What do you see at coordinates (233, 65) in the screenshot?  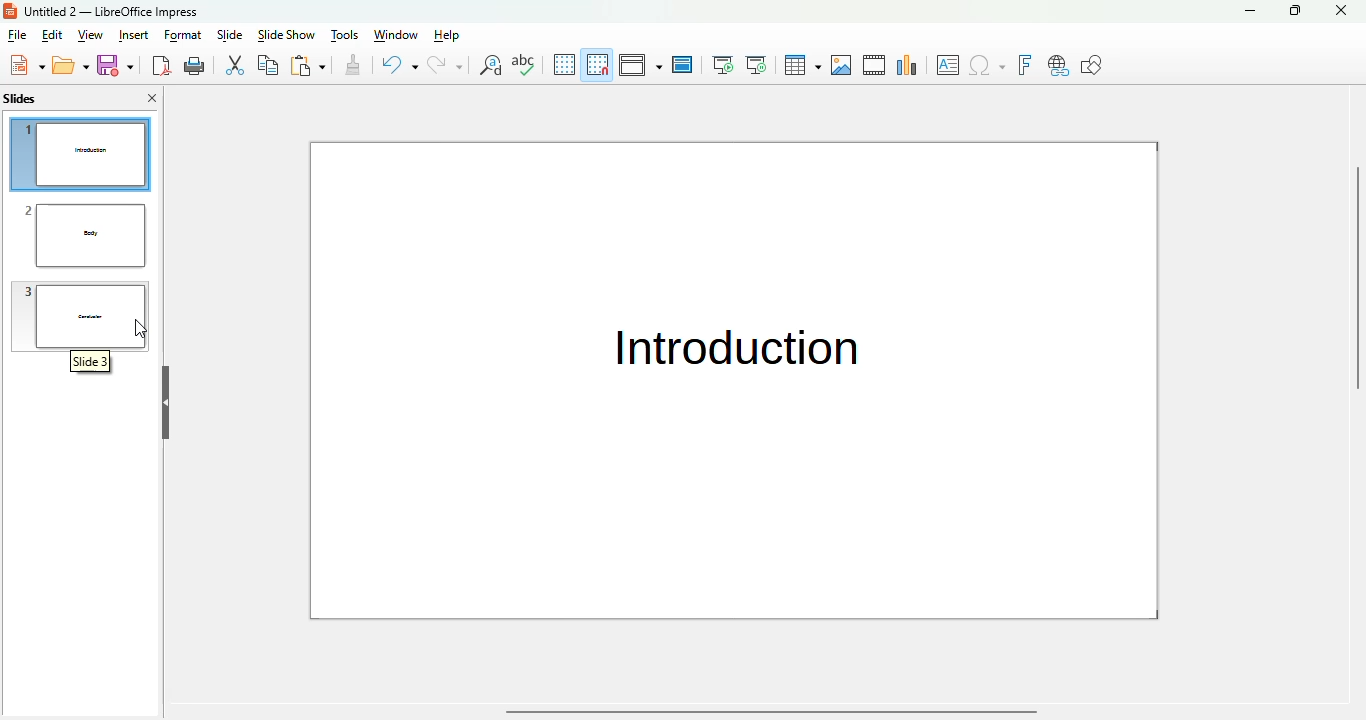 I see `cut` at bounding box center [233, 65].